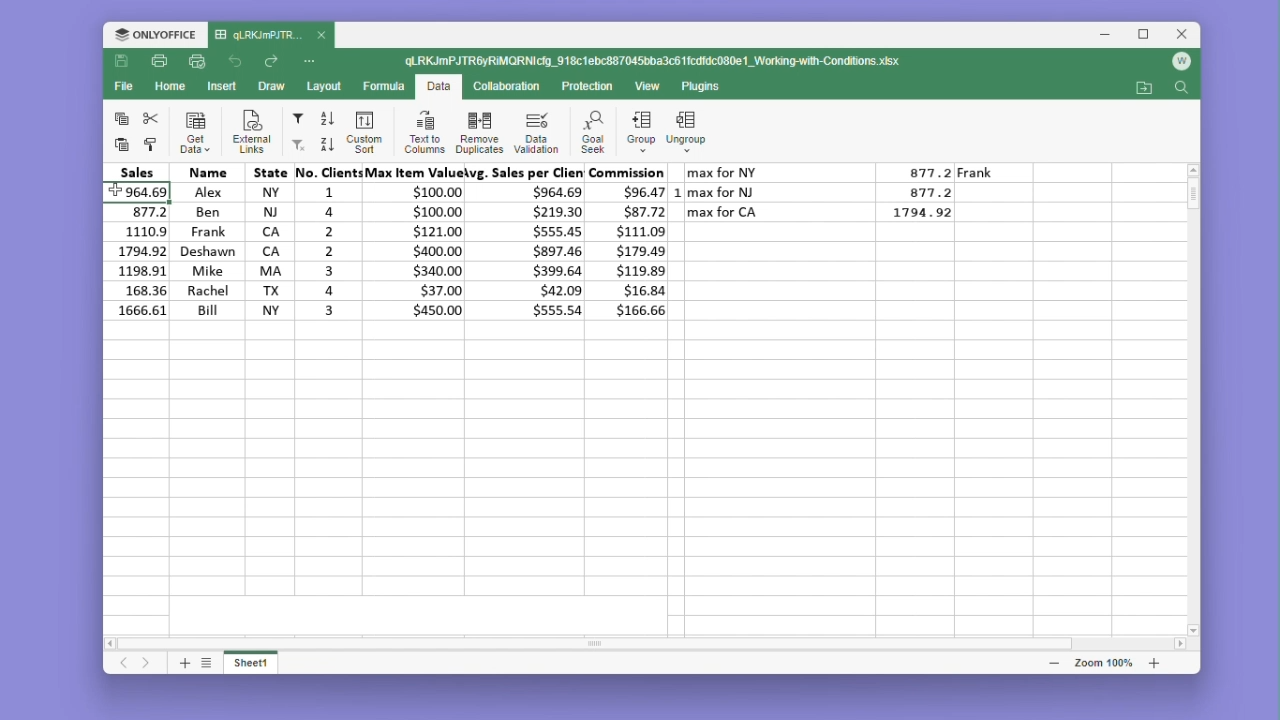 This screenshot has width=1280, height=720. Describe the element at coordinates (172, 86) in the screenshot. I see `` at that location.